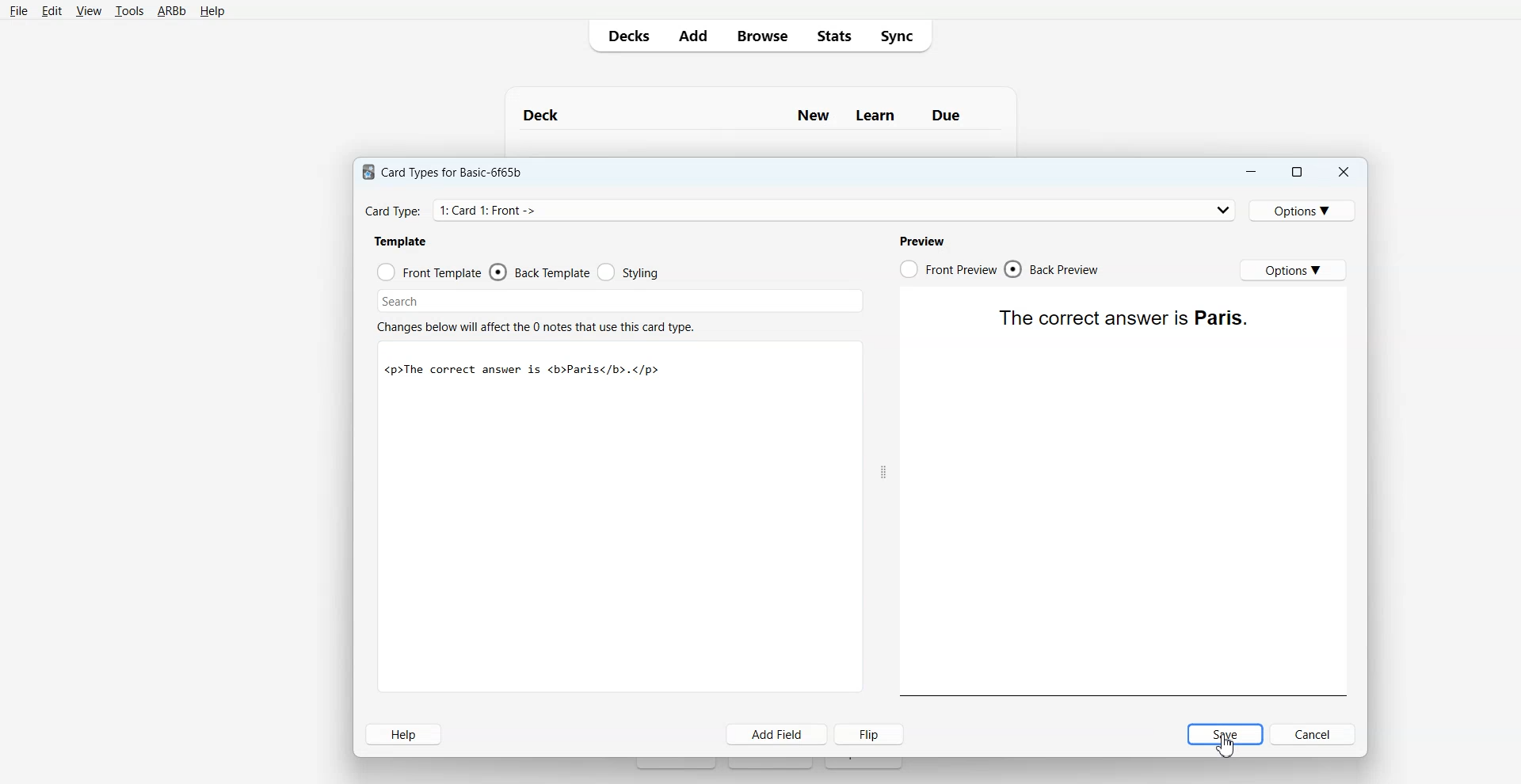  What do you see at coordinates (628, 272) in the screenshot?
I see `Styling` at bounding box center [628, 272].